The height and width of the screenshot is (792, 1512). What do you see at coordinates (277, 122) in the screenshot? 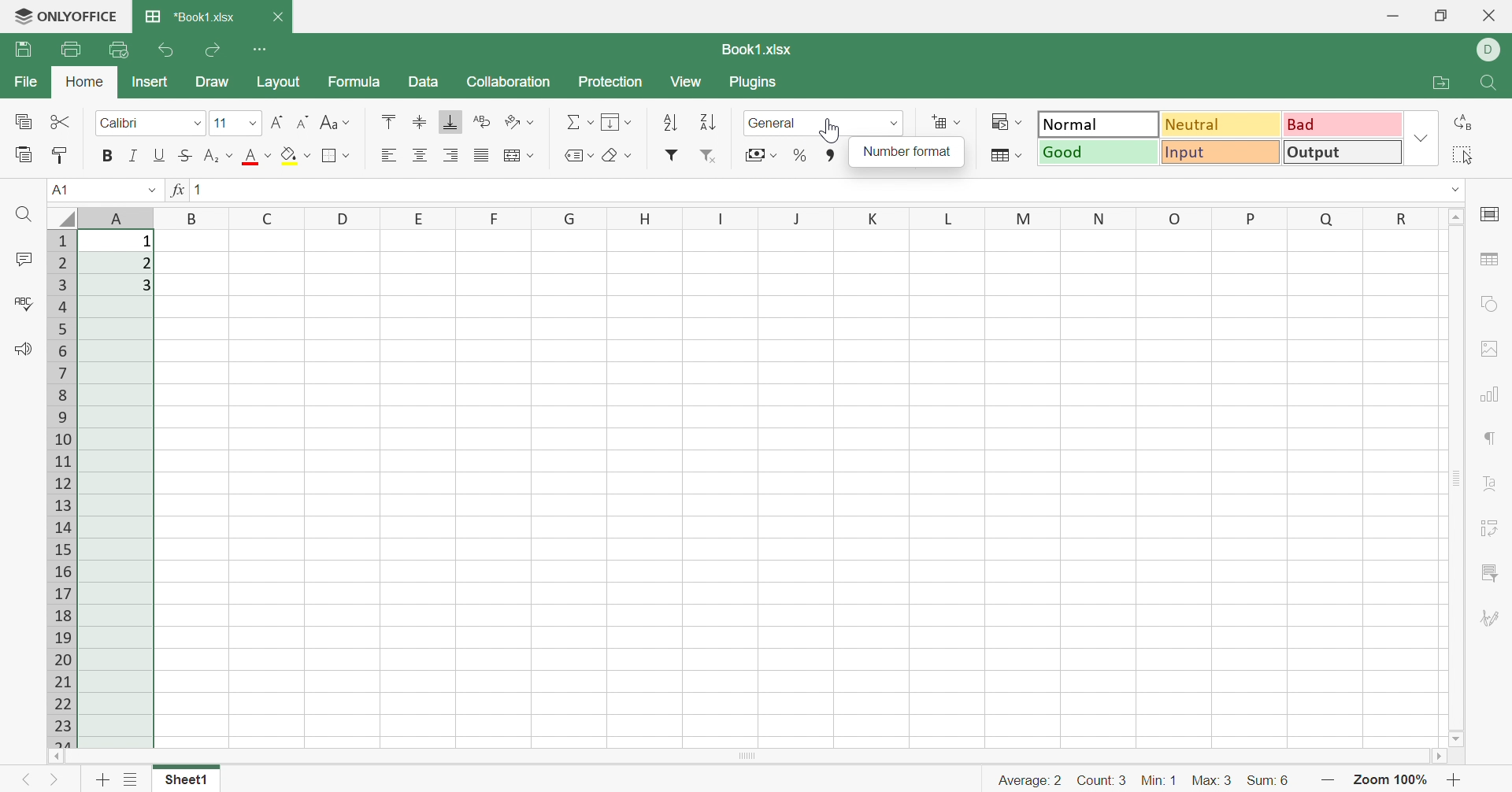
I see `Increment font size` at bounding box center [277, 122].